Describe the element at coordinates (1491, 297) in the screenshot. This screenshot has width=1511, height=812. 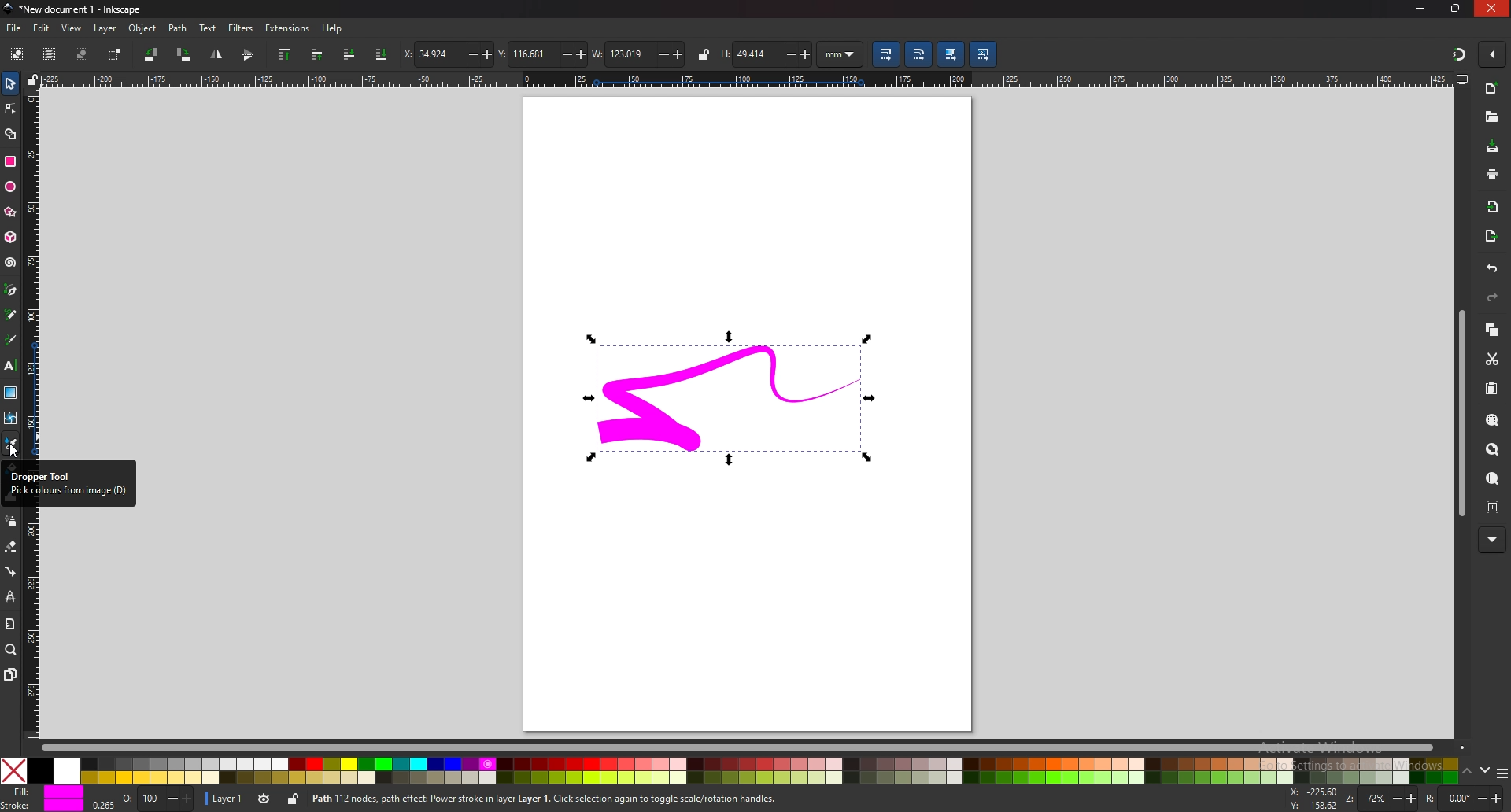
I see `redo` at that location.